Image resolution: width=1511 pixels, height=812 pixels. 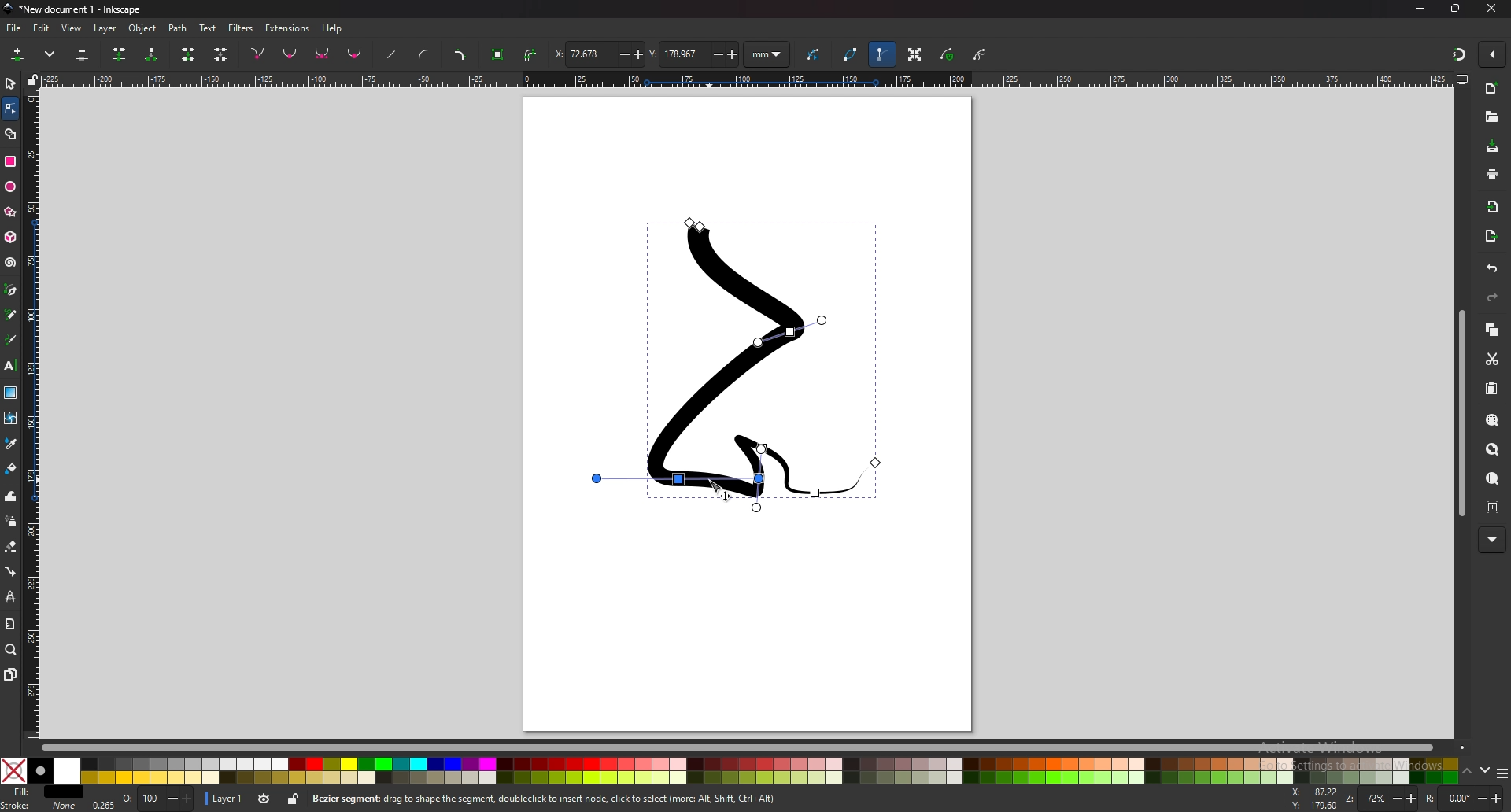 I want to click on cut, so click(x=1491, y=360).